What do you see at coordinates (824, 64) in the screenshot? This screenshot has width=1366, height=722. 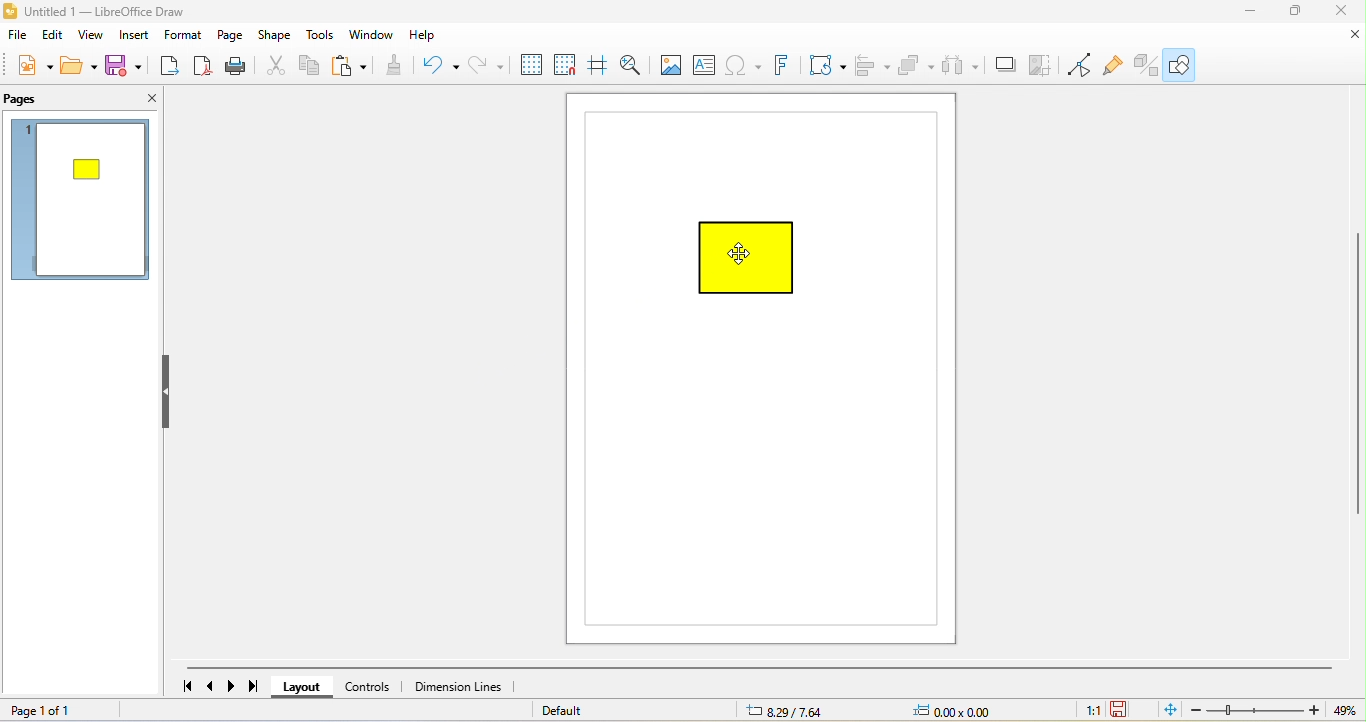 I see `transformation` at bounding box center [824, 64].